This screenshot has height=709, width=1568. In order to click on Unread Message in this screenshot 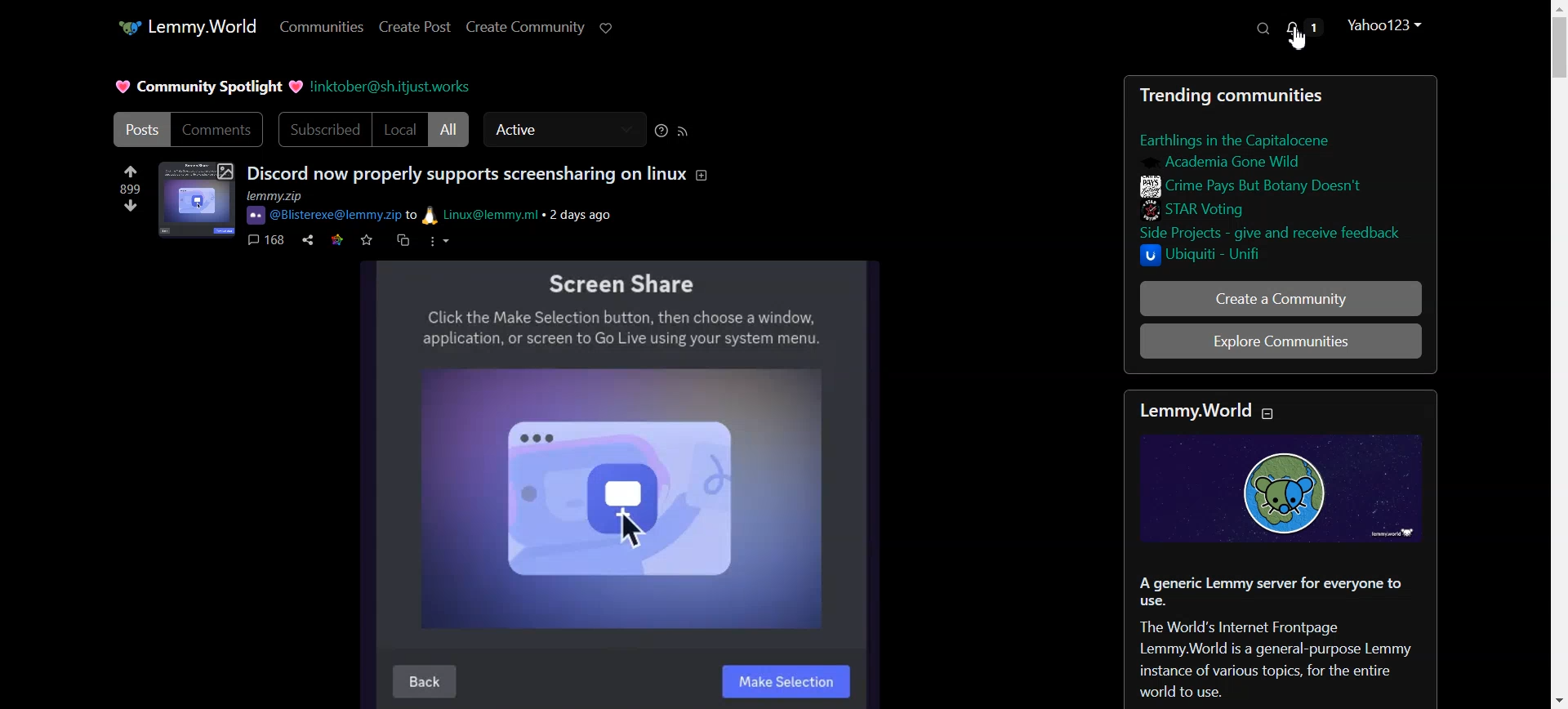, I will do `click(1307, 36)`.